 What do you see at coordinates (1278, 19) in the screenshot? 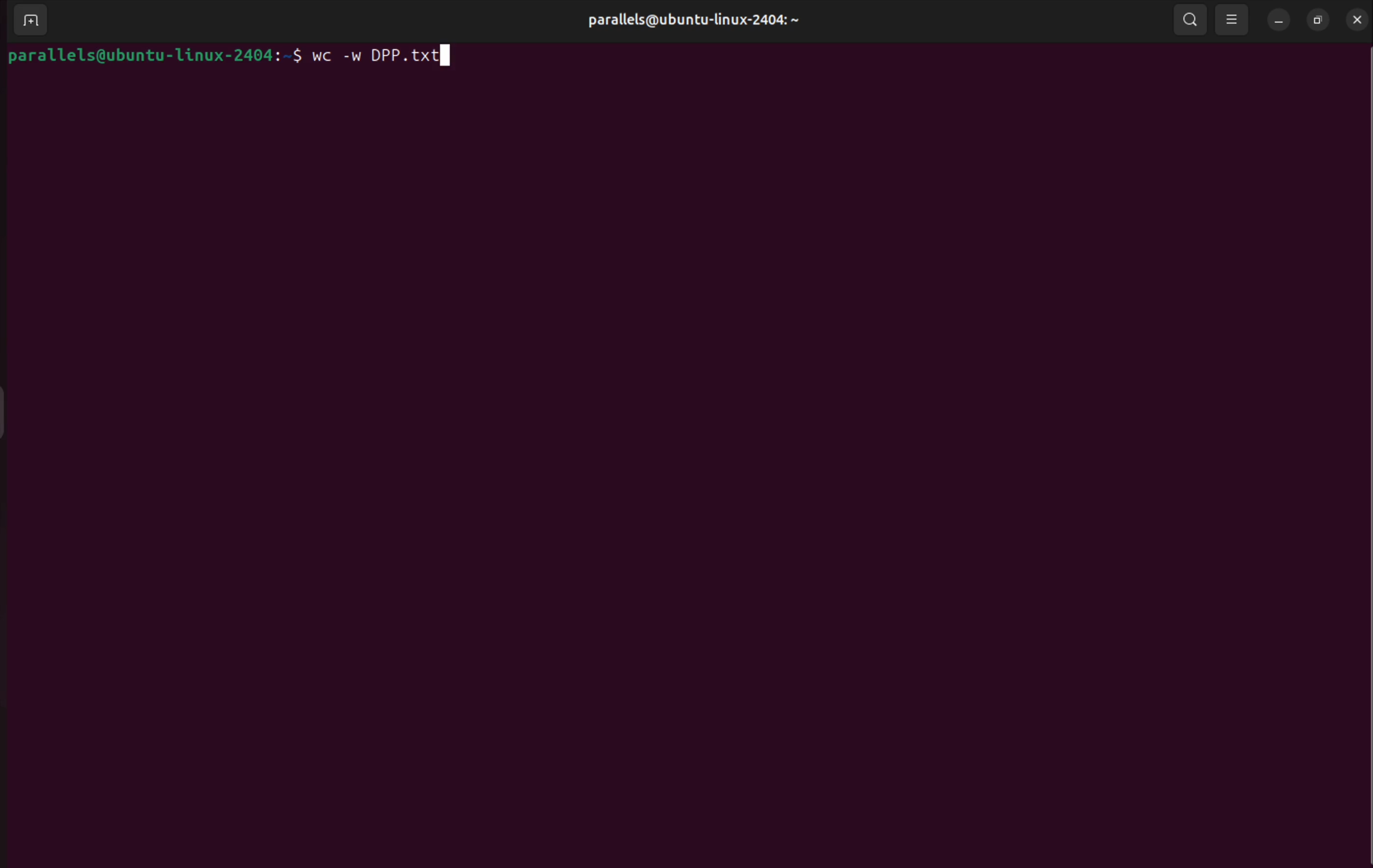
I see `minimize` at bounding box center [1278, 19].